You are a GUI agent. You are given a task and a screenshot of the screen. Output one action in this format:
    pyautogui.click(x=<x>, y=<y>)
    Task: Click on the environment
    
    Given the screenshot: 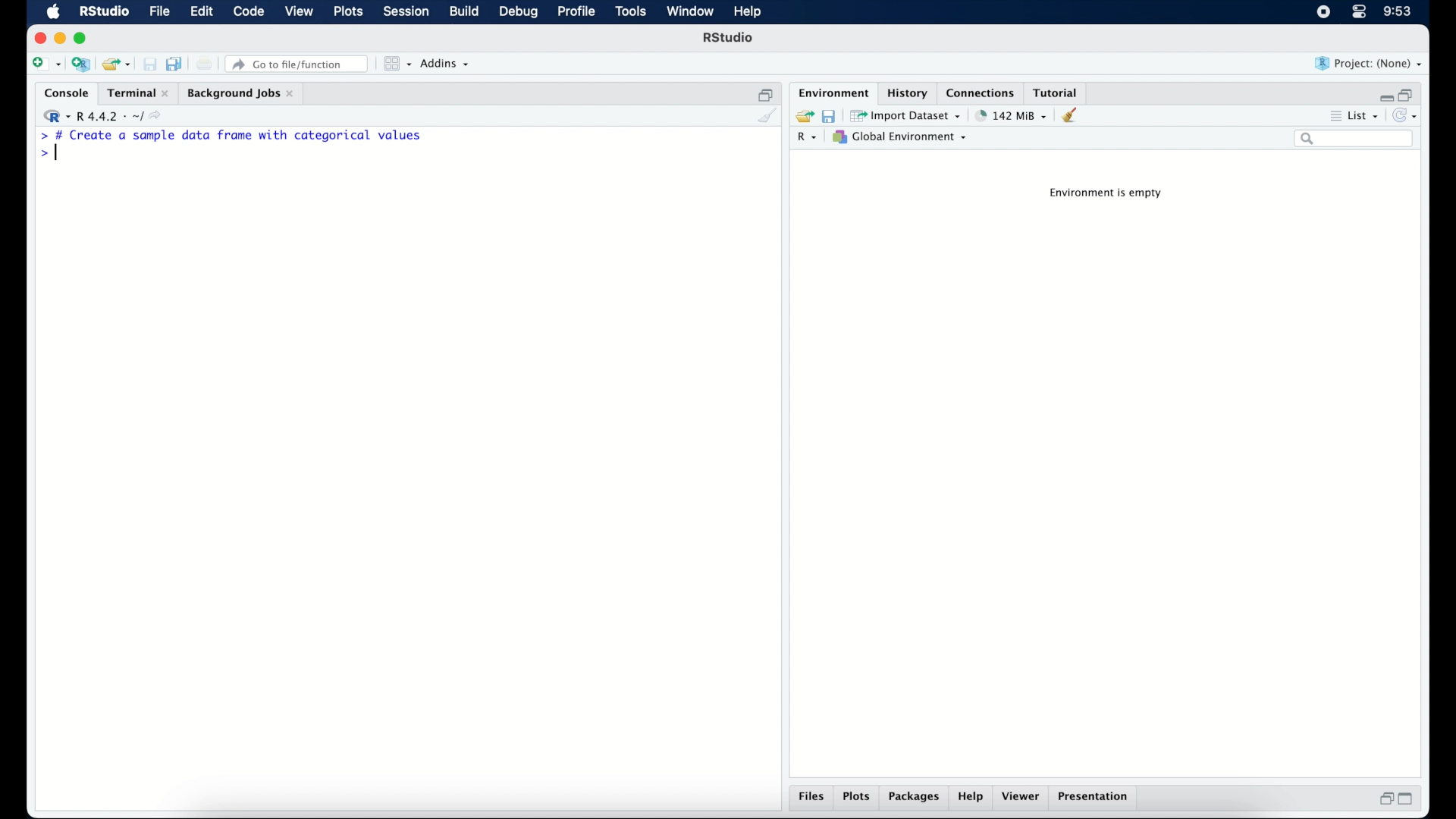 What is the action you would take?
    pyautogui.click(x=833, y=92)
    